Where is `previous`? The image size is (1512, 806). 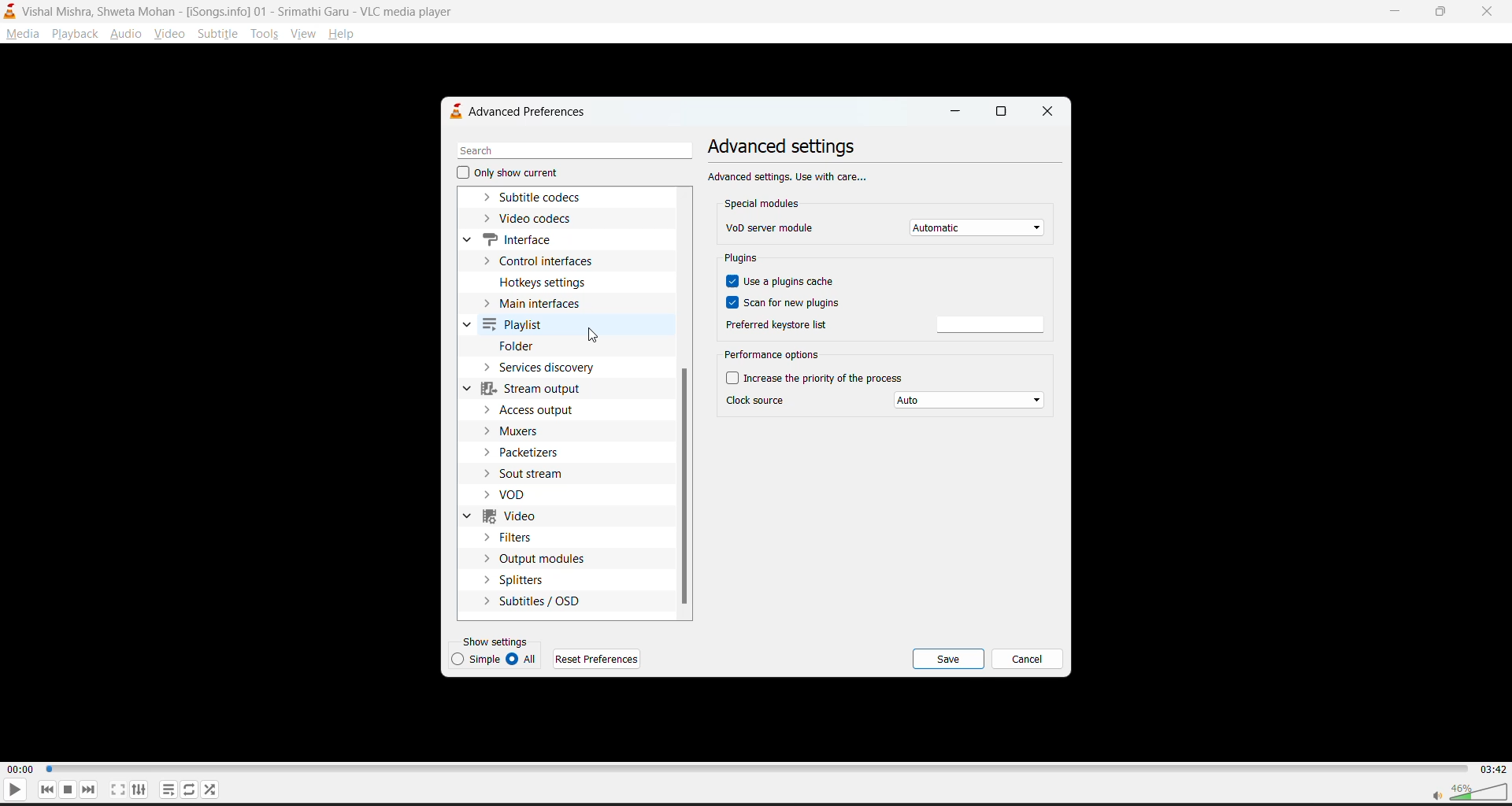 previous is located at coordinates (48, 789).